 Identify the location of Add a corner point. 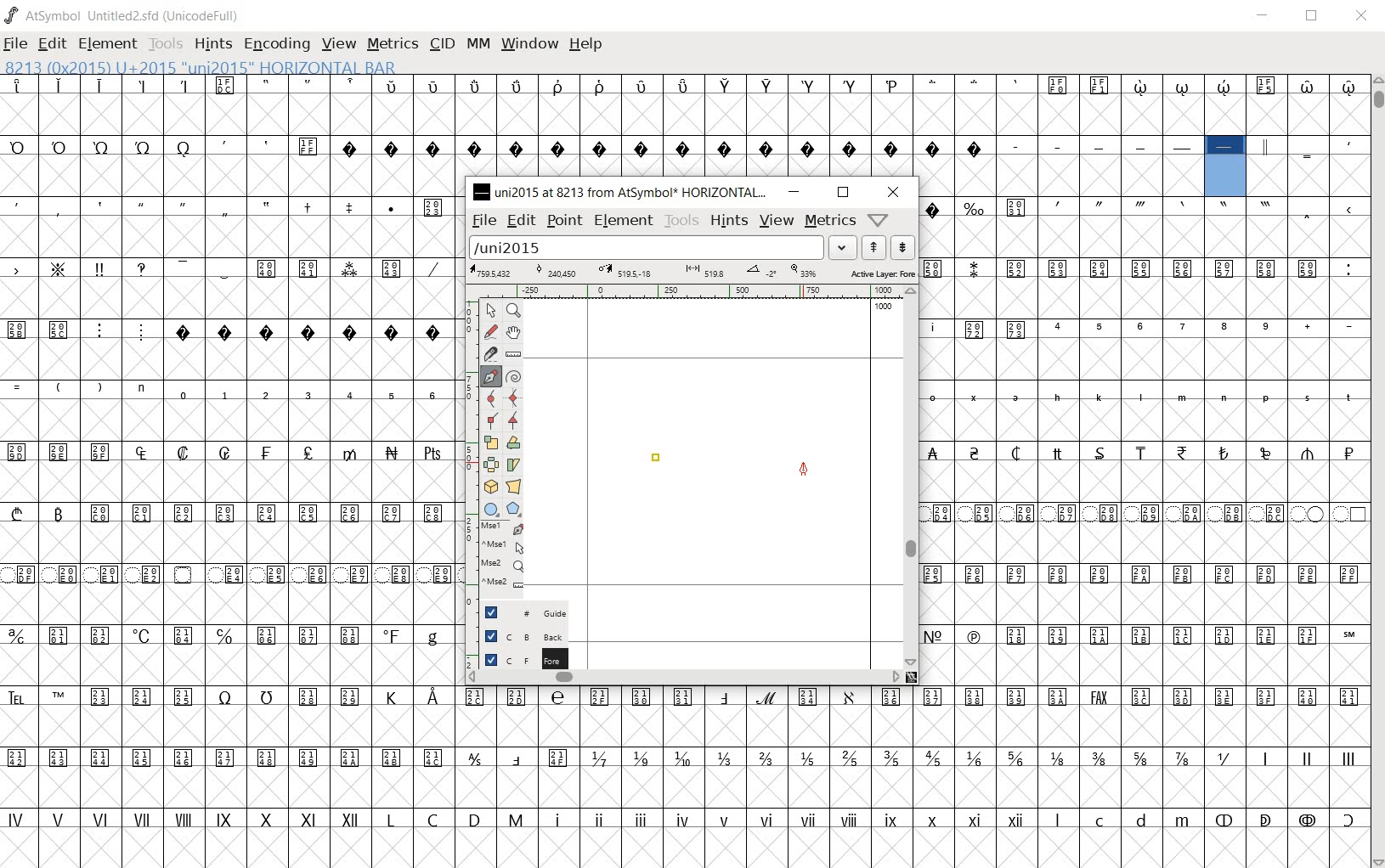
(490, 421).